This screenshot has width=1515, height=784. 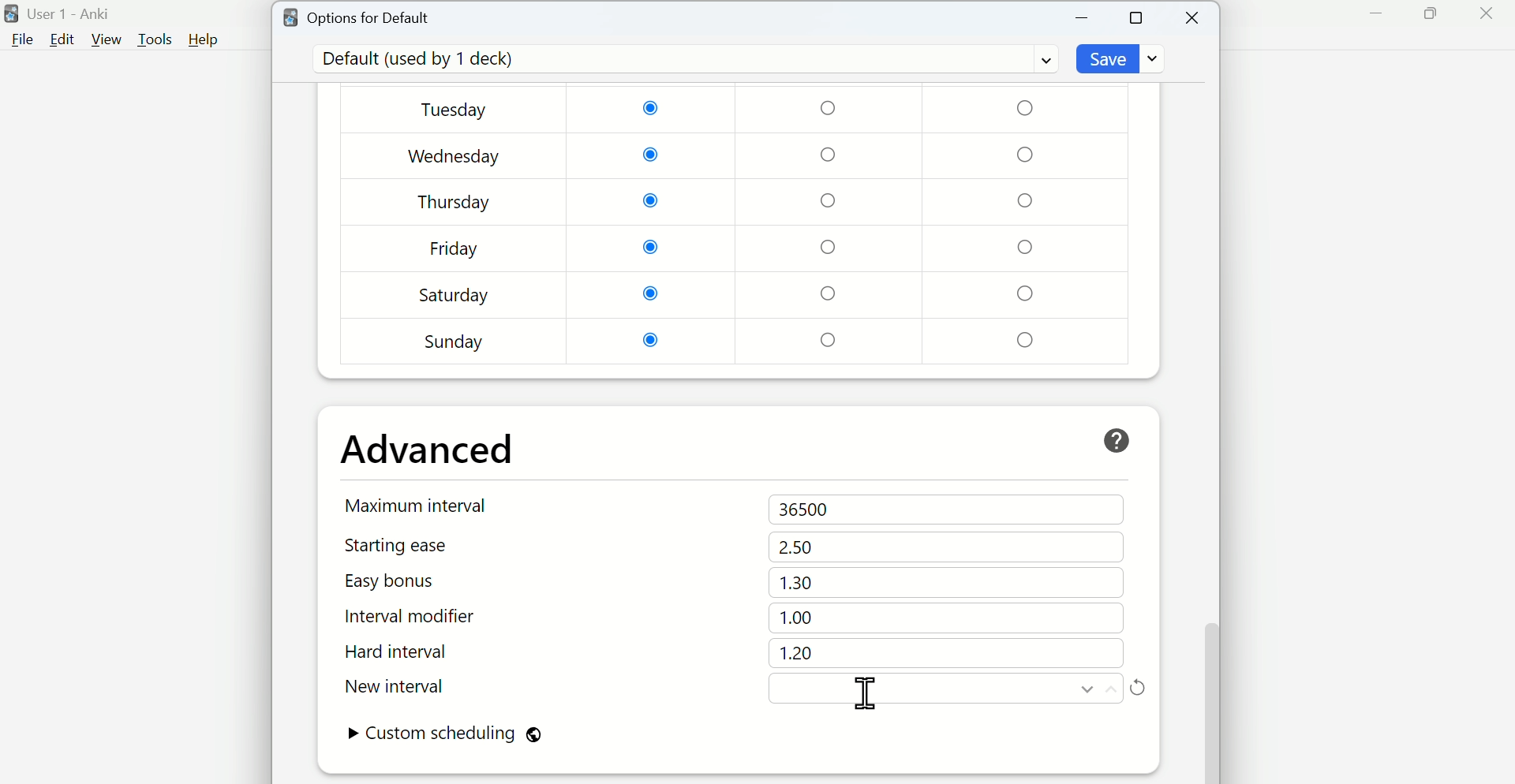 I want to click on Help, so click(x=204, y=39).